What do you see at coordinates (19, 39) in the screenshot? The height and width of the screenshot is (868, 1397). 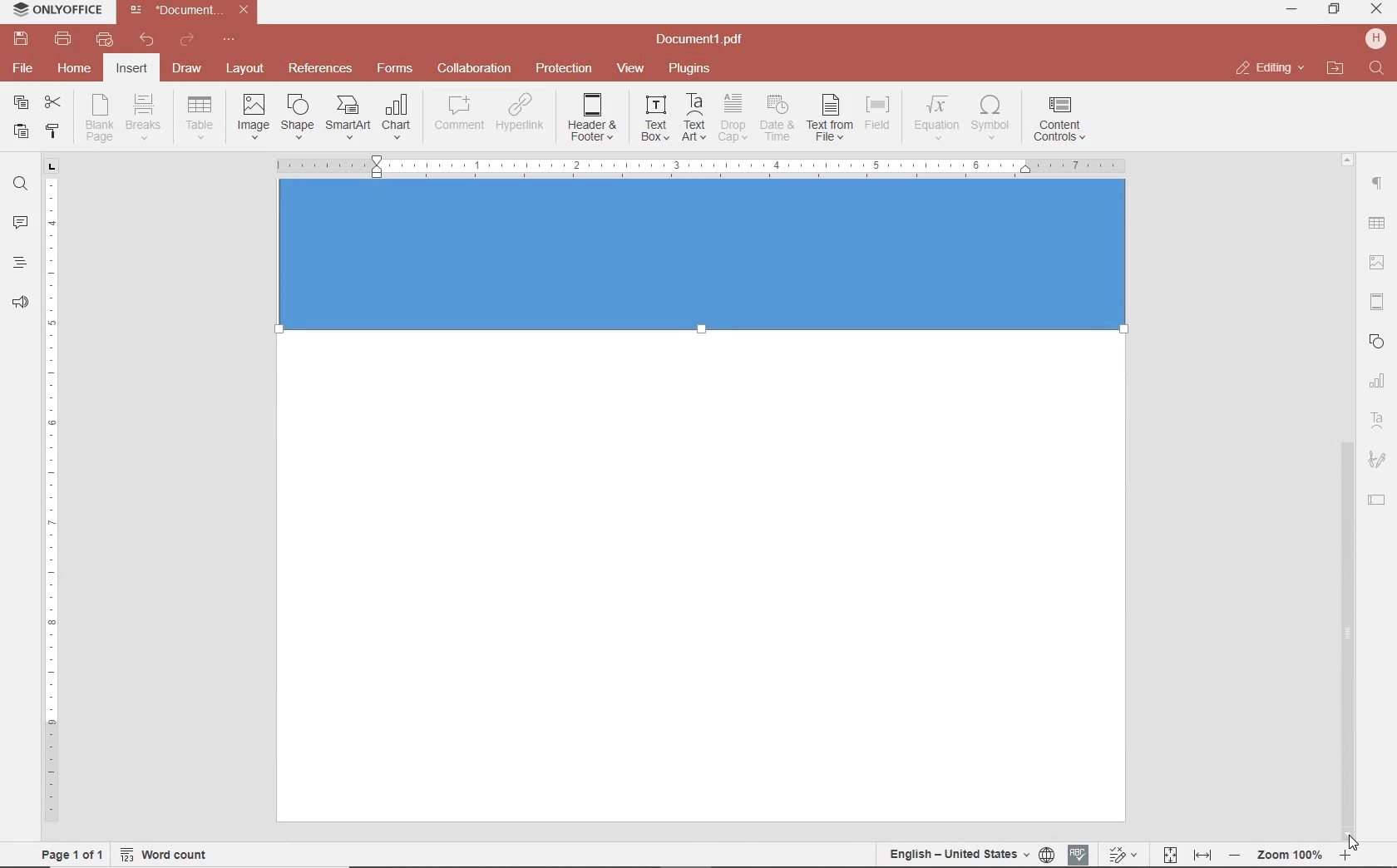 I see `save` at bounding box center [19, 39].